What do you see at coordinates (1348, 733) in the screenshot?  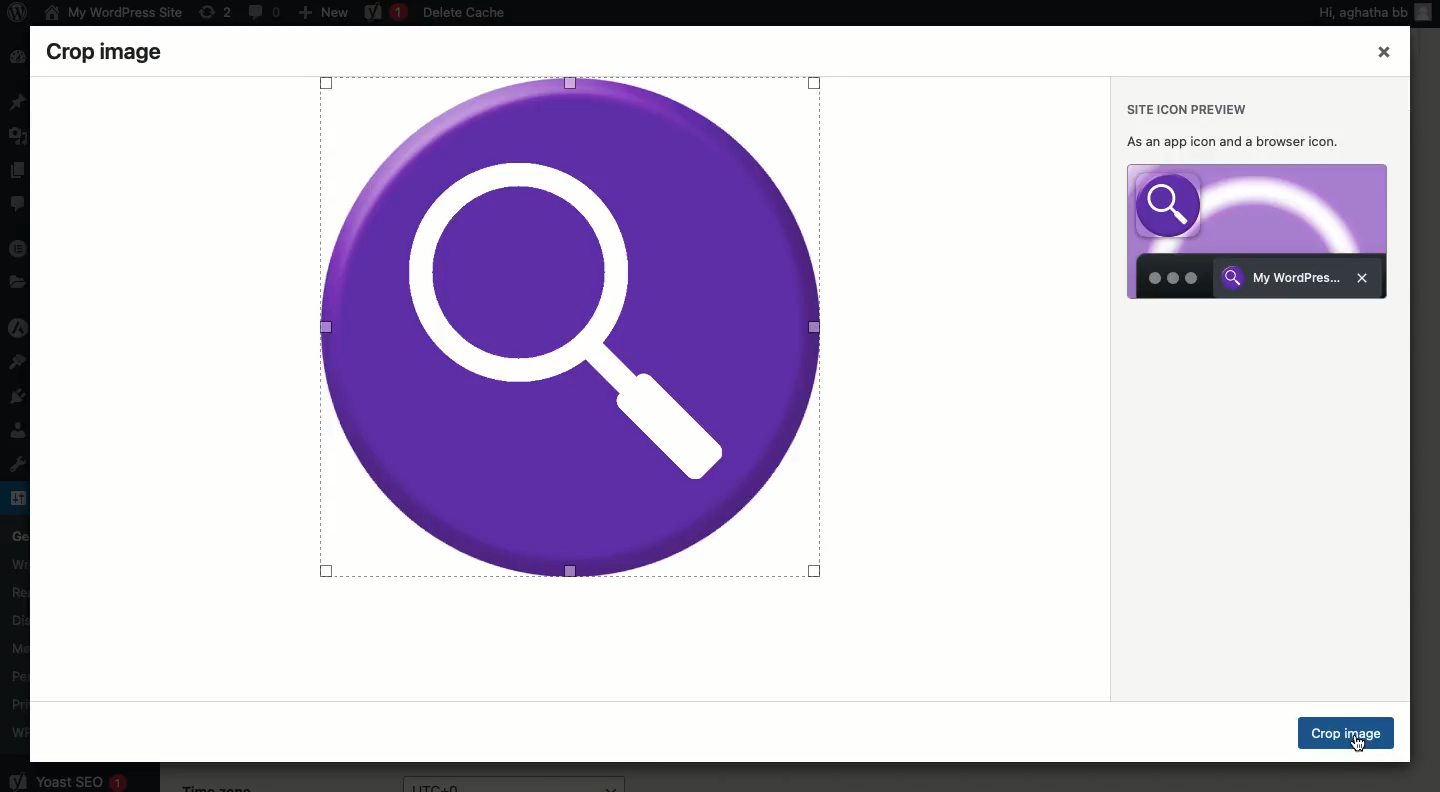 I see `Crop image` at bounding box center [1348, 733].